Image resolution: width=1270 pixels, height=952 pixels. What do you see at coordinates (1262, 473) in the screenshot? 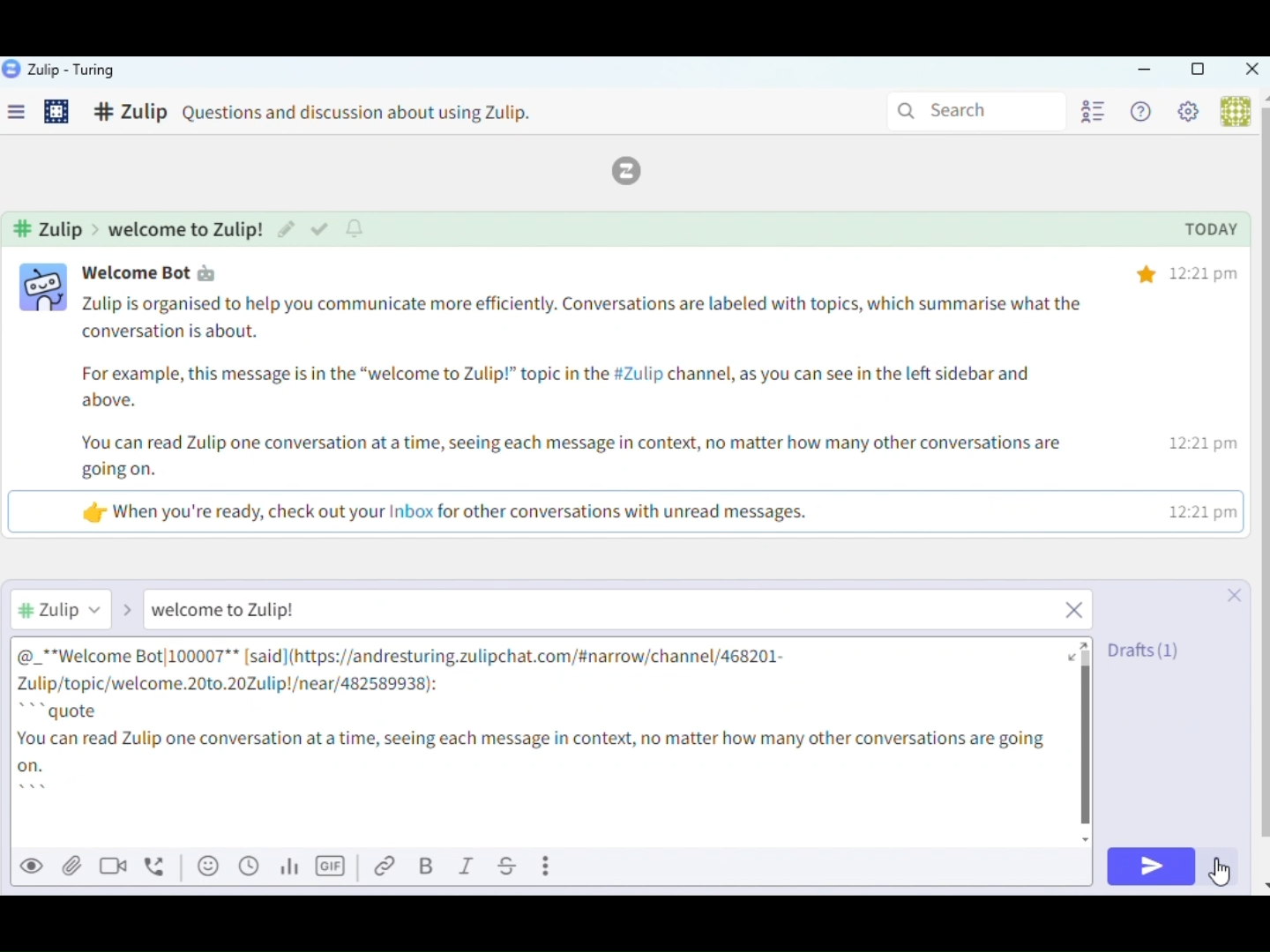
I see `vertical scroll bar` at bounding box center [1262, 473].